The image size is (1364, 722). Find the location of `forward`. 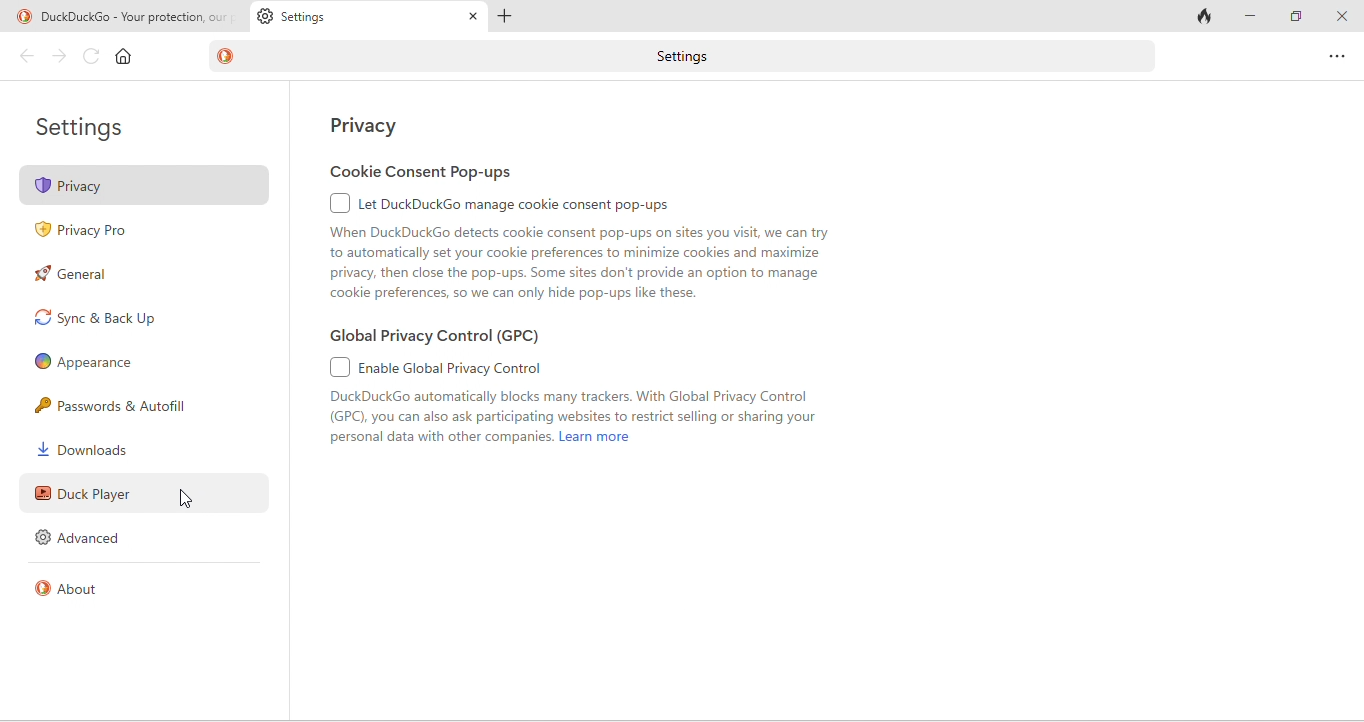

forward is located at coordinates (61, 58).